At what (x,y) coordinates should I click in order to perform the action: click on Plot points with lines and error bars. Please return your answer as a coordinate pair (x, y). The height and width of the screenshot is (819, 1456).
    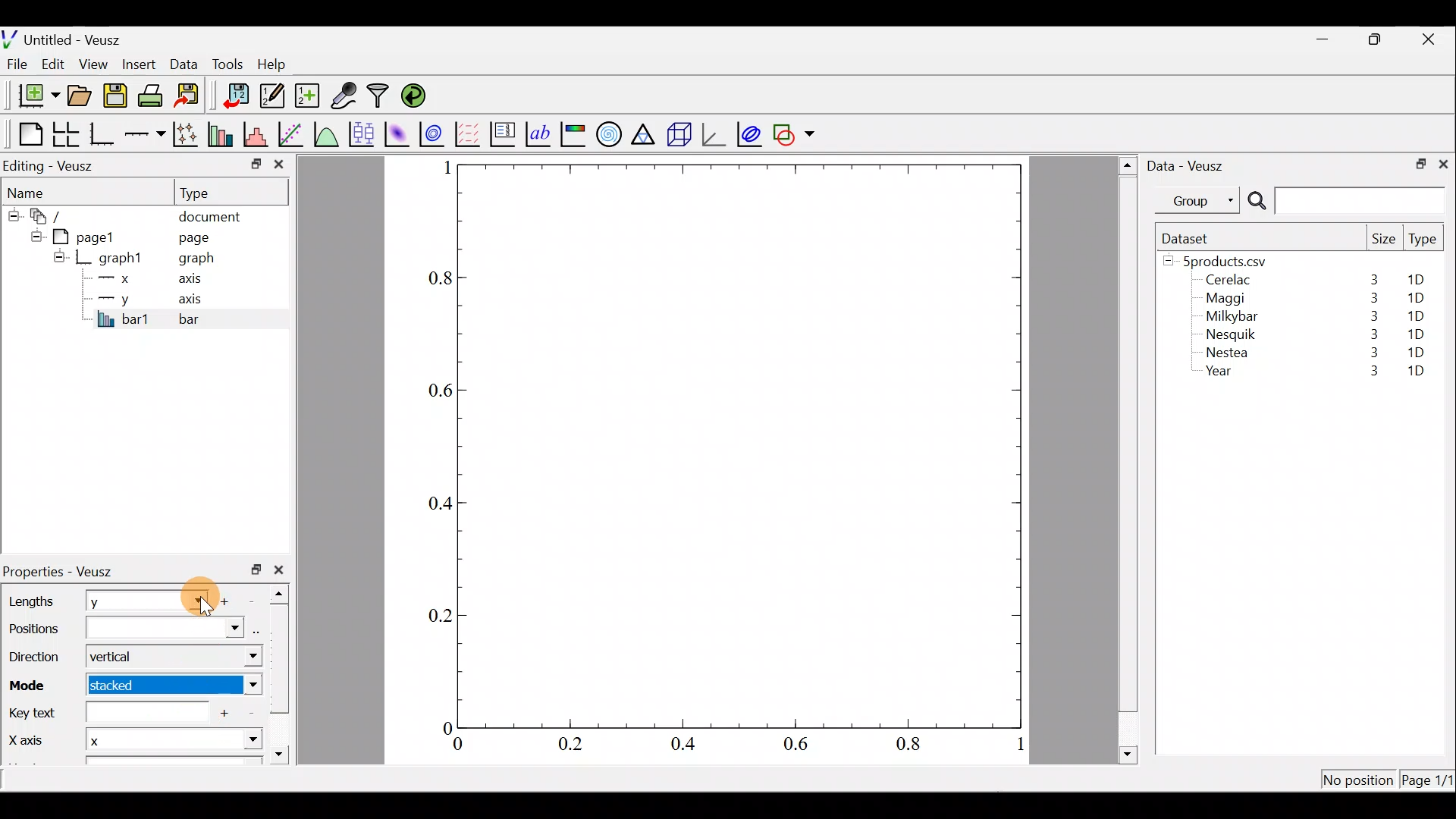
    Looking at the image, I should click on (188, 135).